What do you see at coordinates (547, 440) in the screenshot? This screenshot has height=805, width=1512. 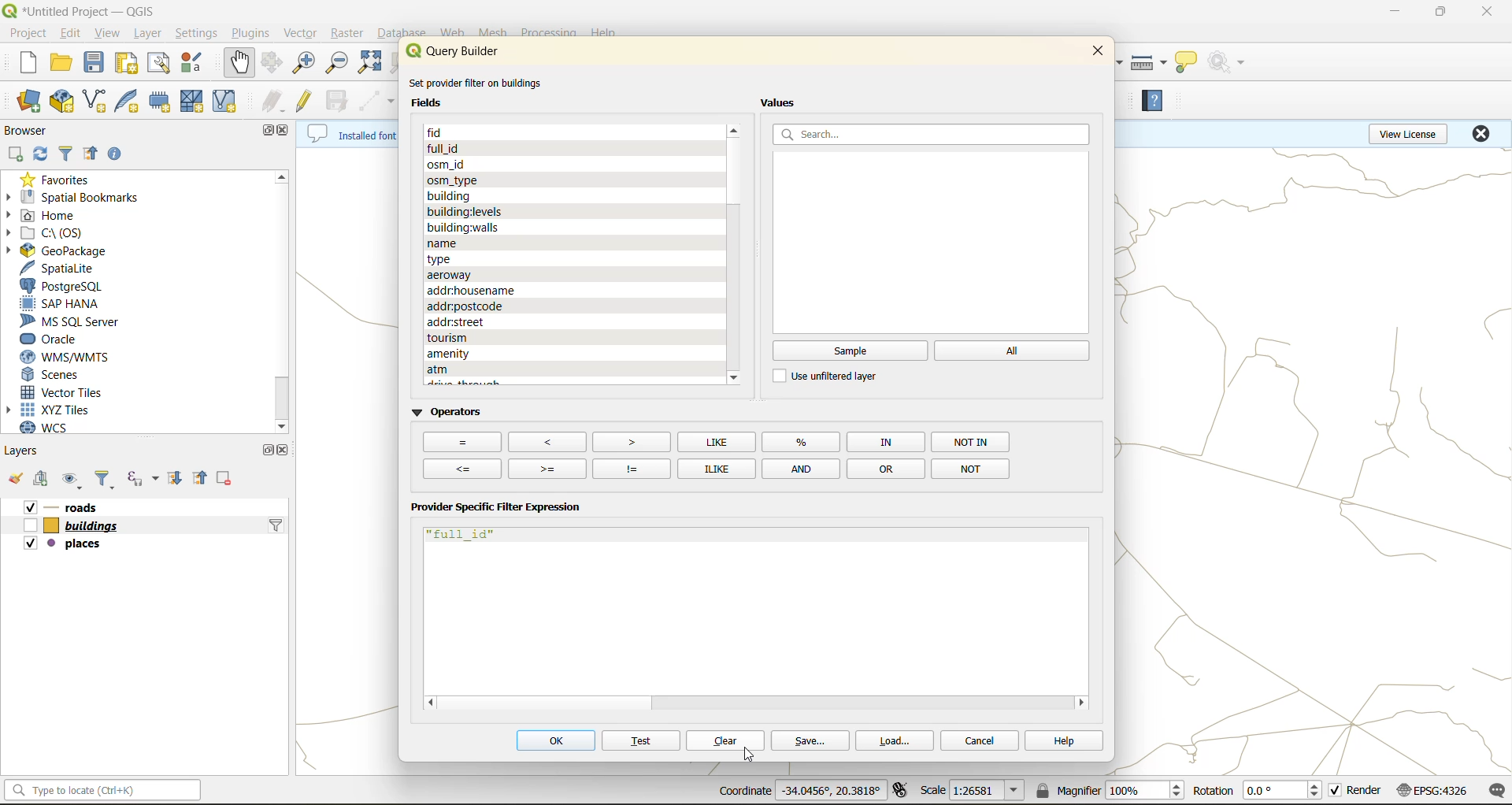 I see `opertators` at bounding box center [547, 440].